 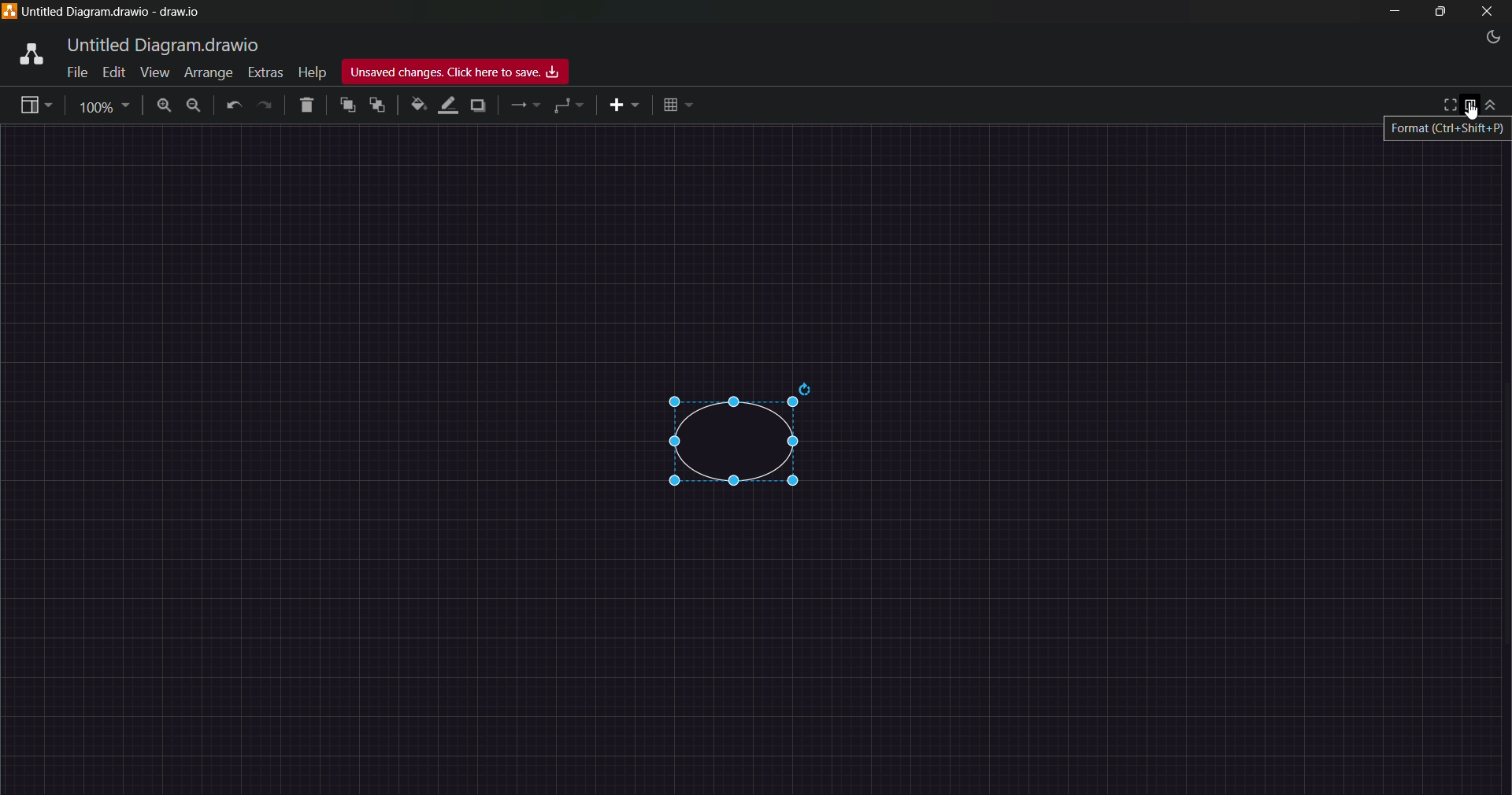 What do you see at coordinates (33, 103) in the screenshot?
I see `view` at bounding box center [33, 103].